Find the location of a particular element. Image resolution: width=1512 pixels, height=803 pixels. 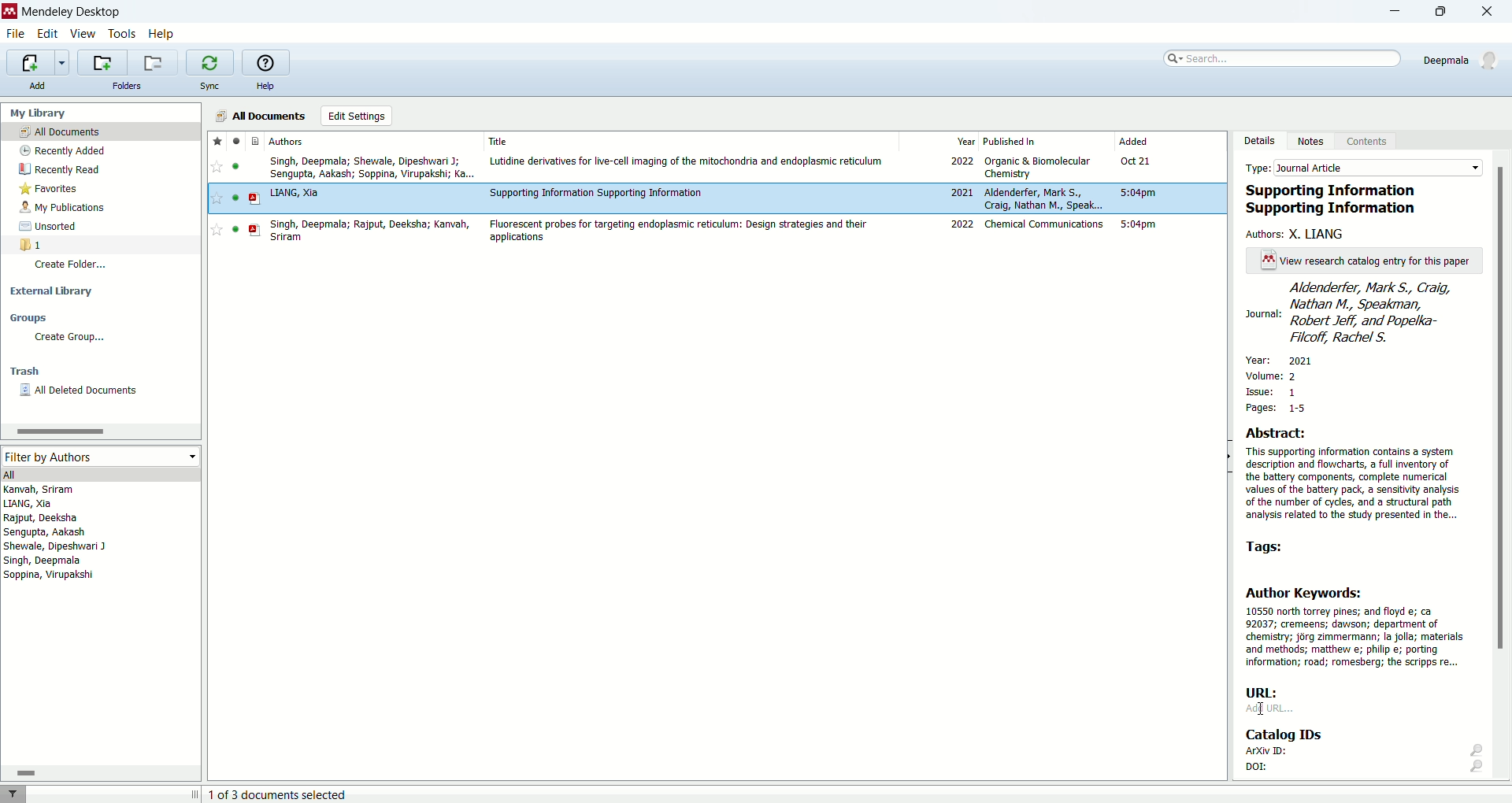

notes is located at coordinates (1314, 142).